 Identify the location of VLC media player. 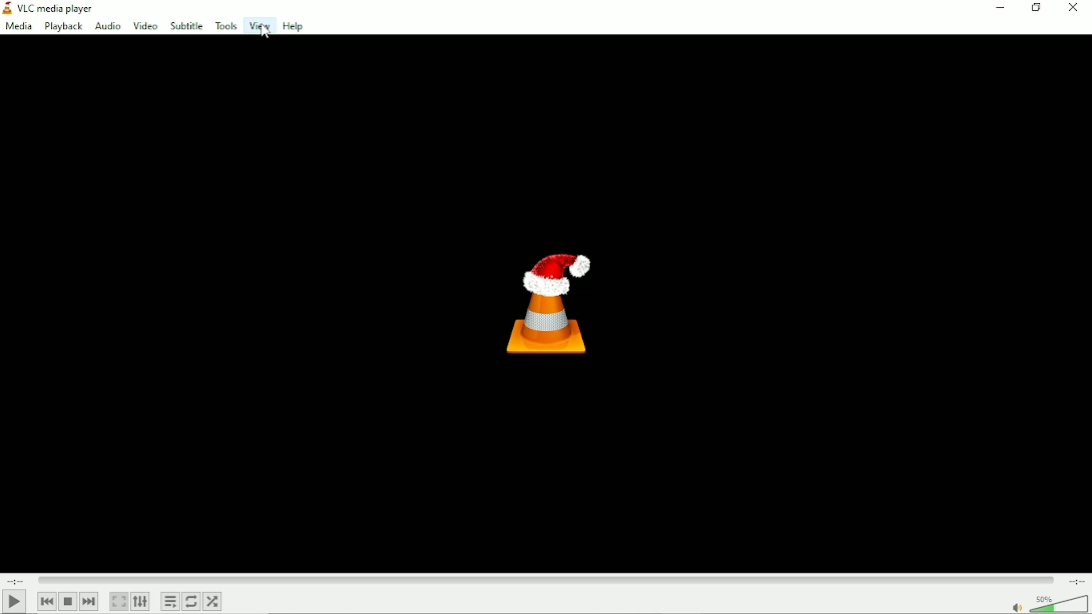
(62, 9).